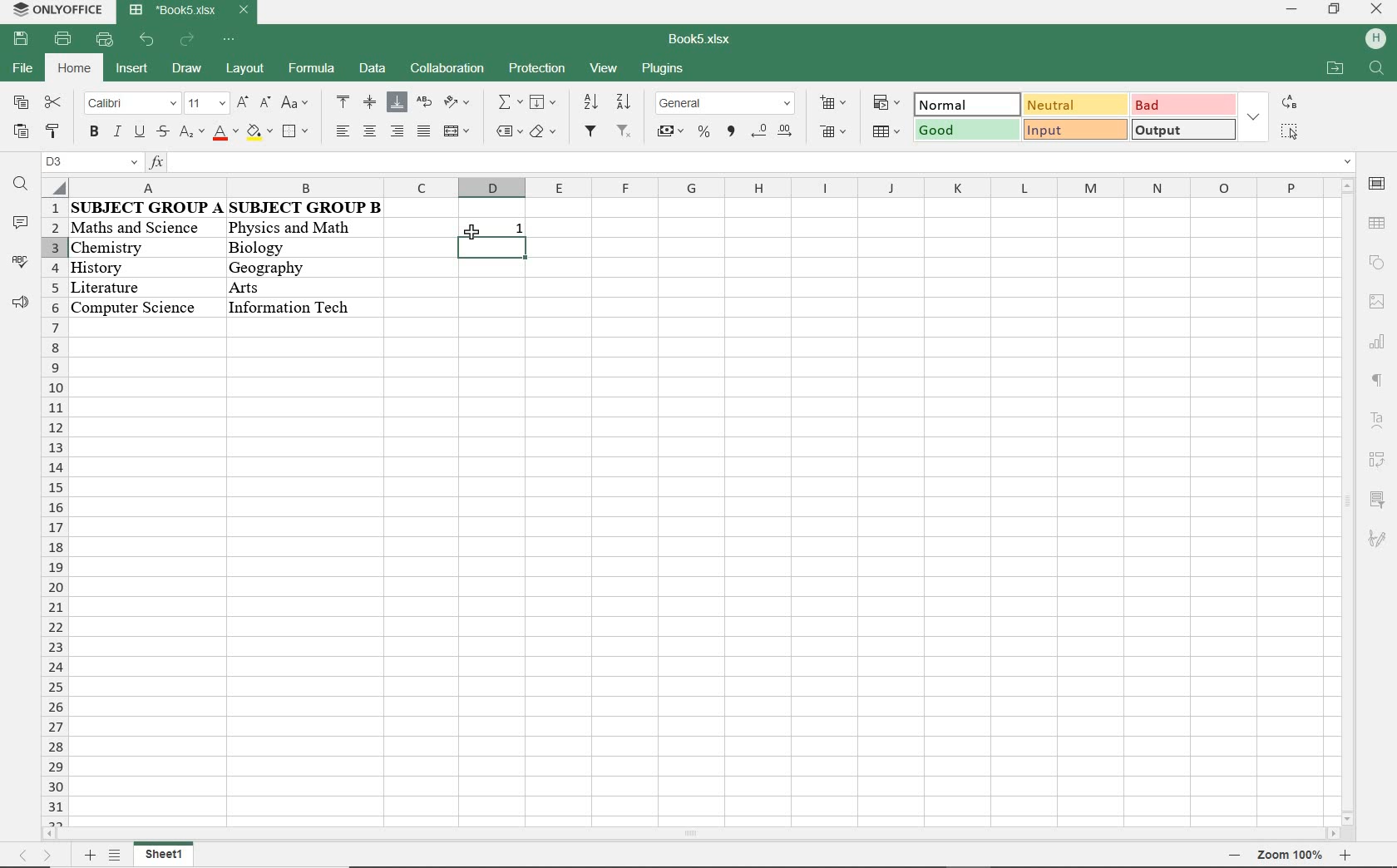 Image resolution: width=1397 pixels, height=868 pixels. What do you see at coordinates (148, 41) in the screenshot?
I see `undo` at bounding box center [148, 41].